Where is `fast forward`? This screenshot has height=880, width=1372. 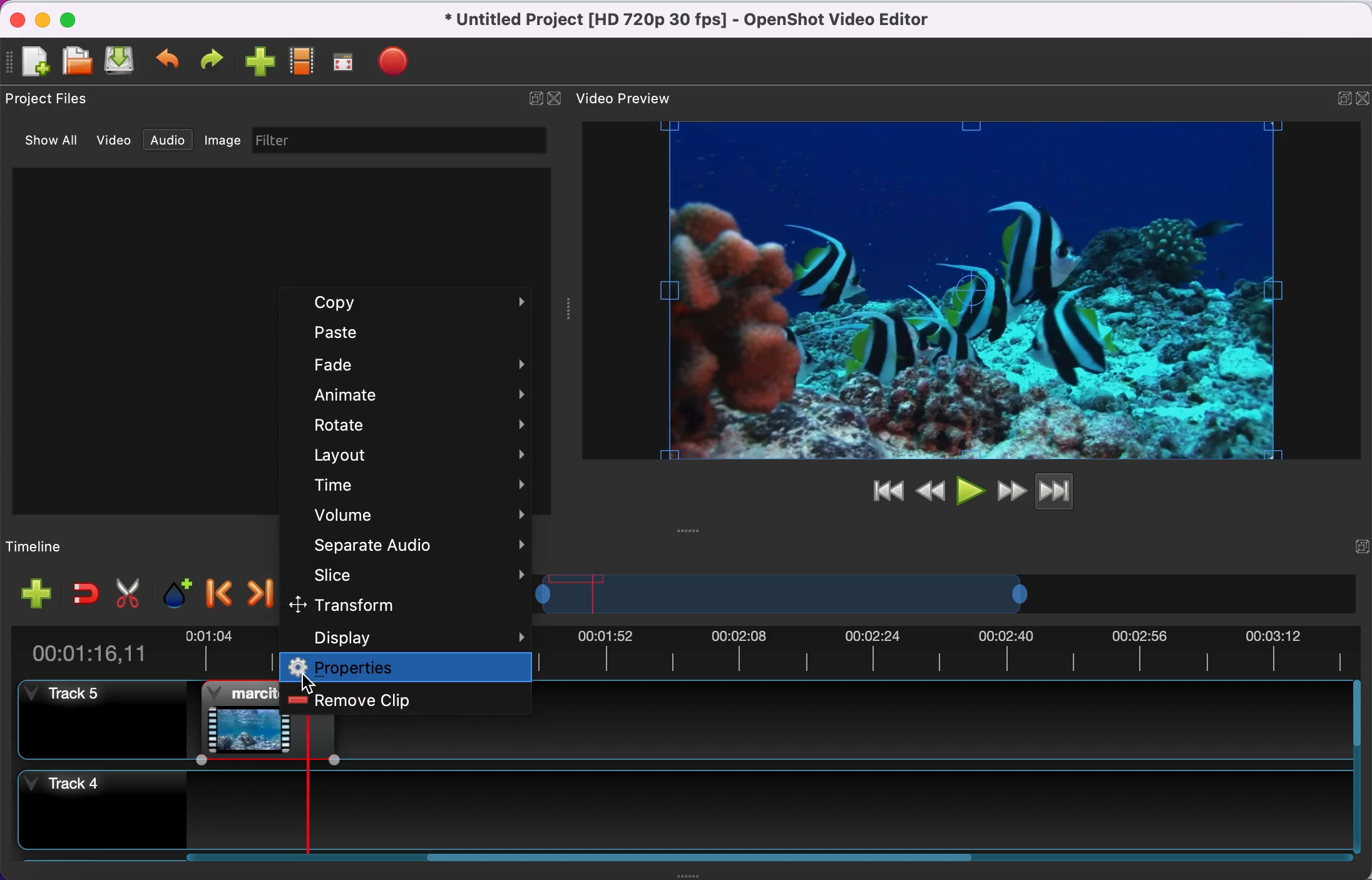 fast forward is located at coordinates (1009, 489).